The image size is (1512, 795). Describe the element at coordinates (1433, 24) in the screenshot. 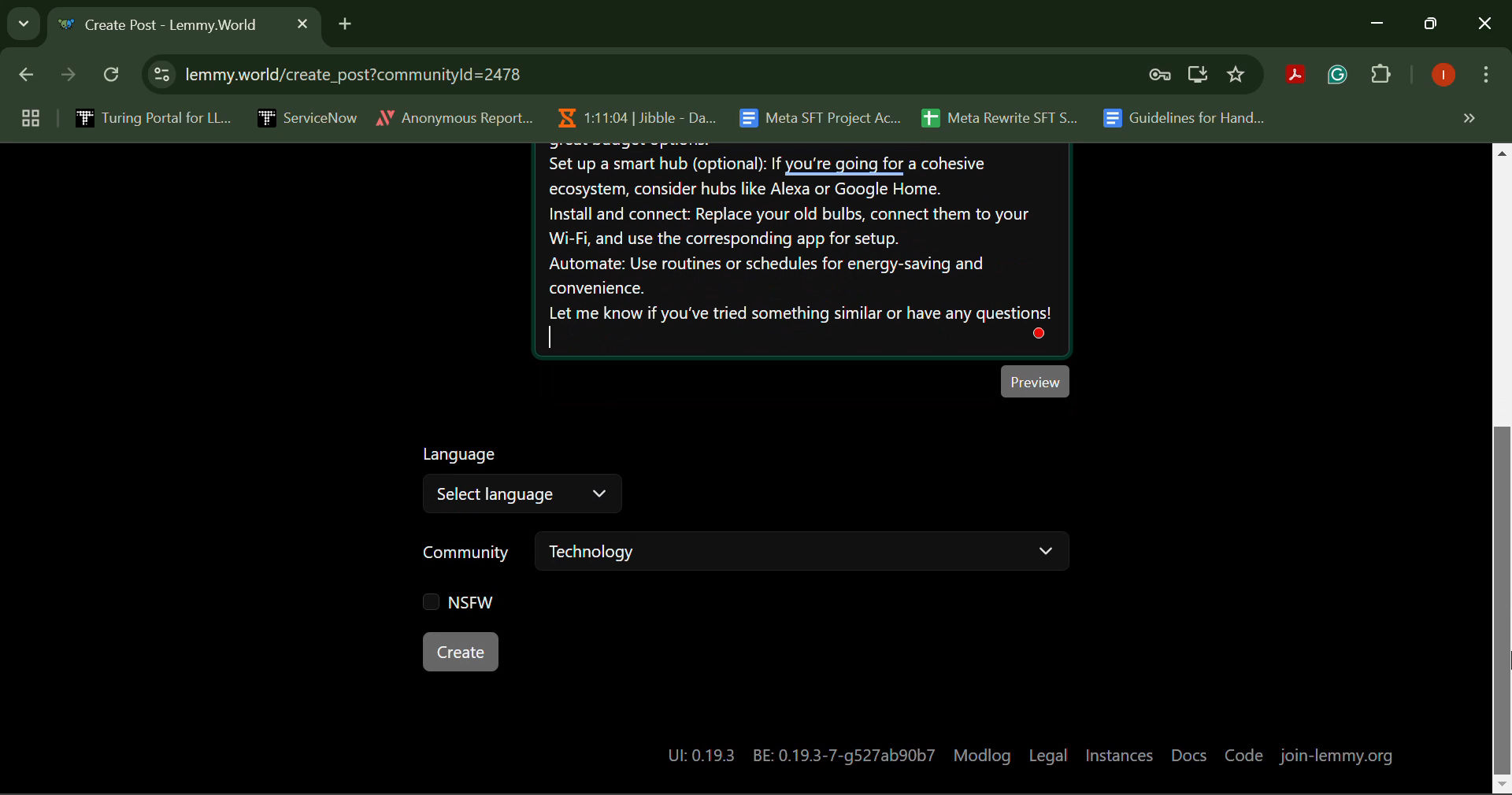

I see `Minimize` at that location.